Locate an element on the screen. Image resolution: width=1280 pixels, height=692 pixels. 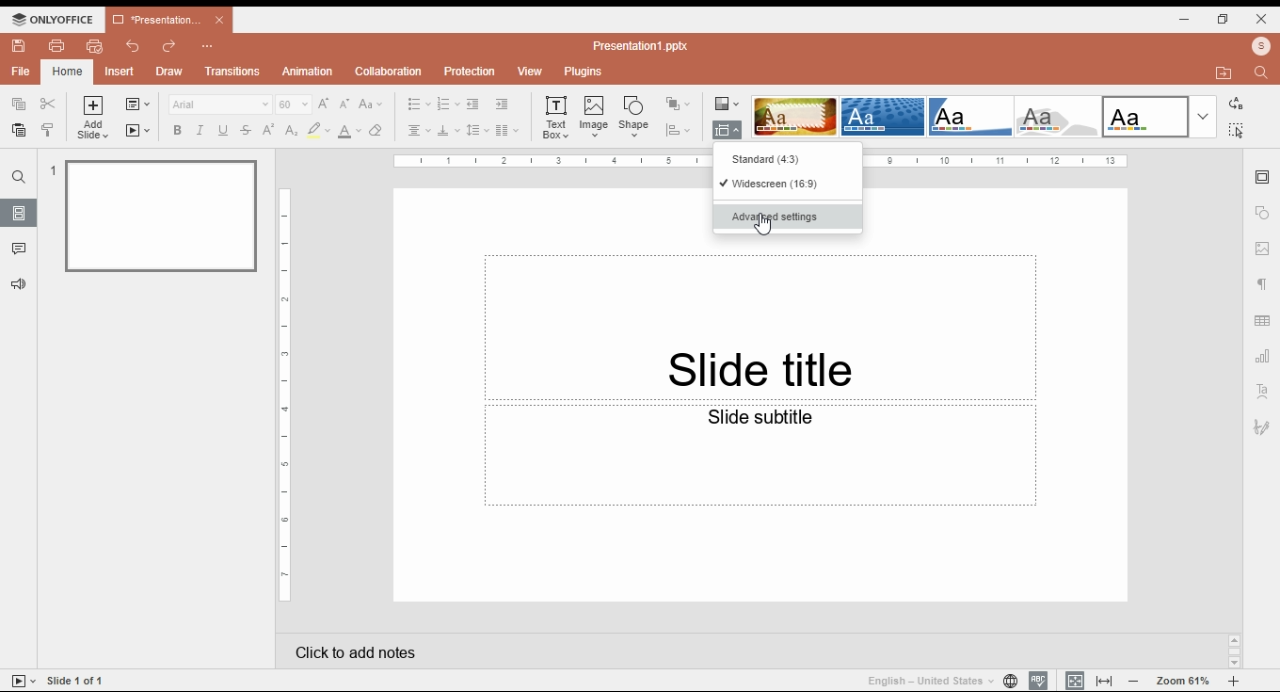
vertical alignment is located at coordinates (448, 133).